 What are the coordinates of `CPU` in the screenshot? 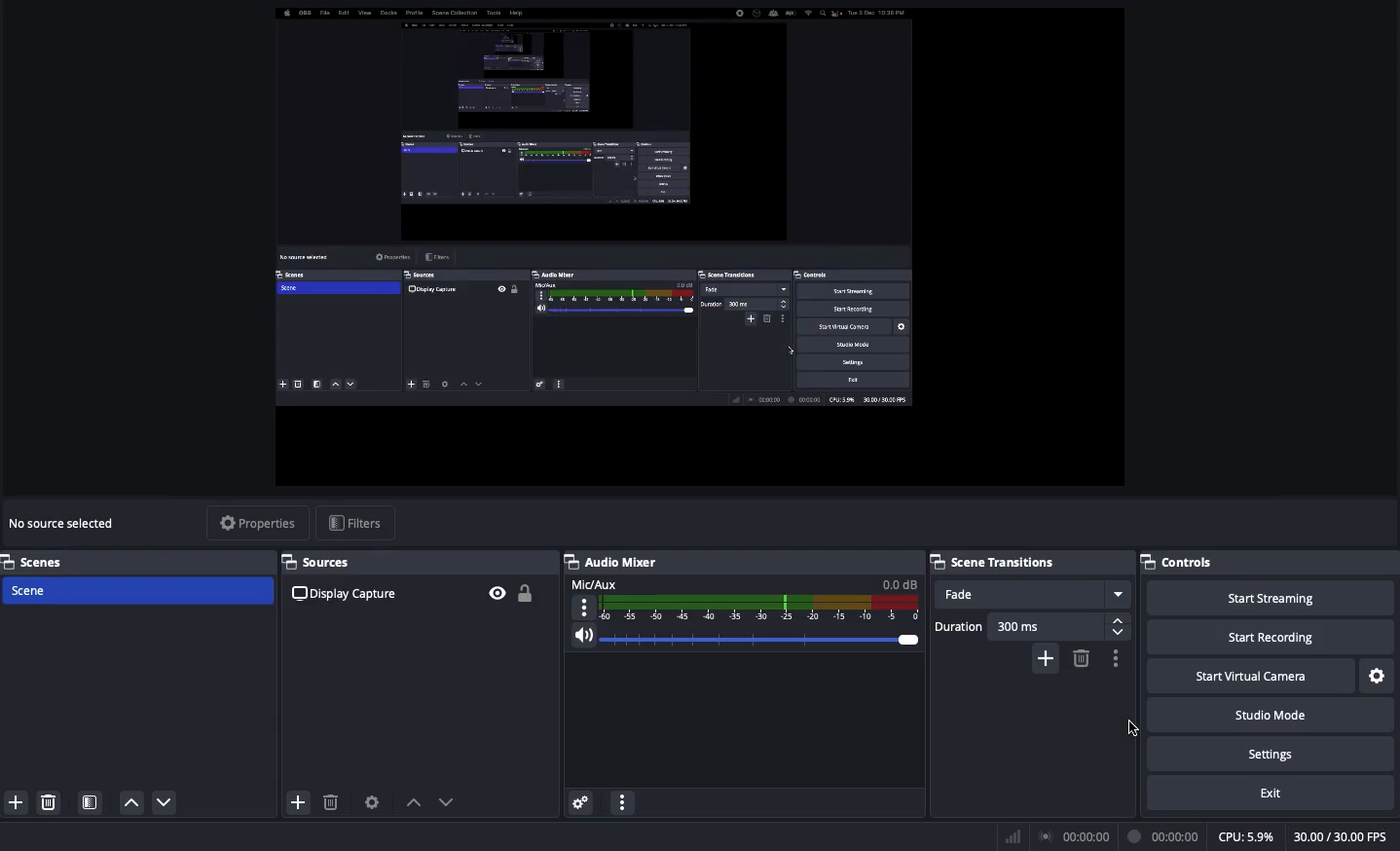 It's located at (1245, 837).